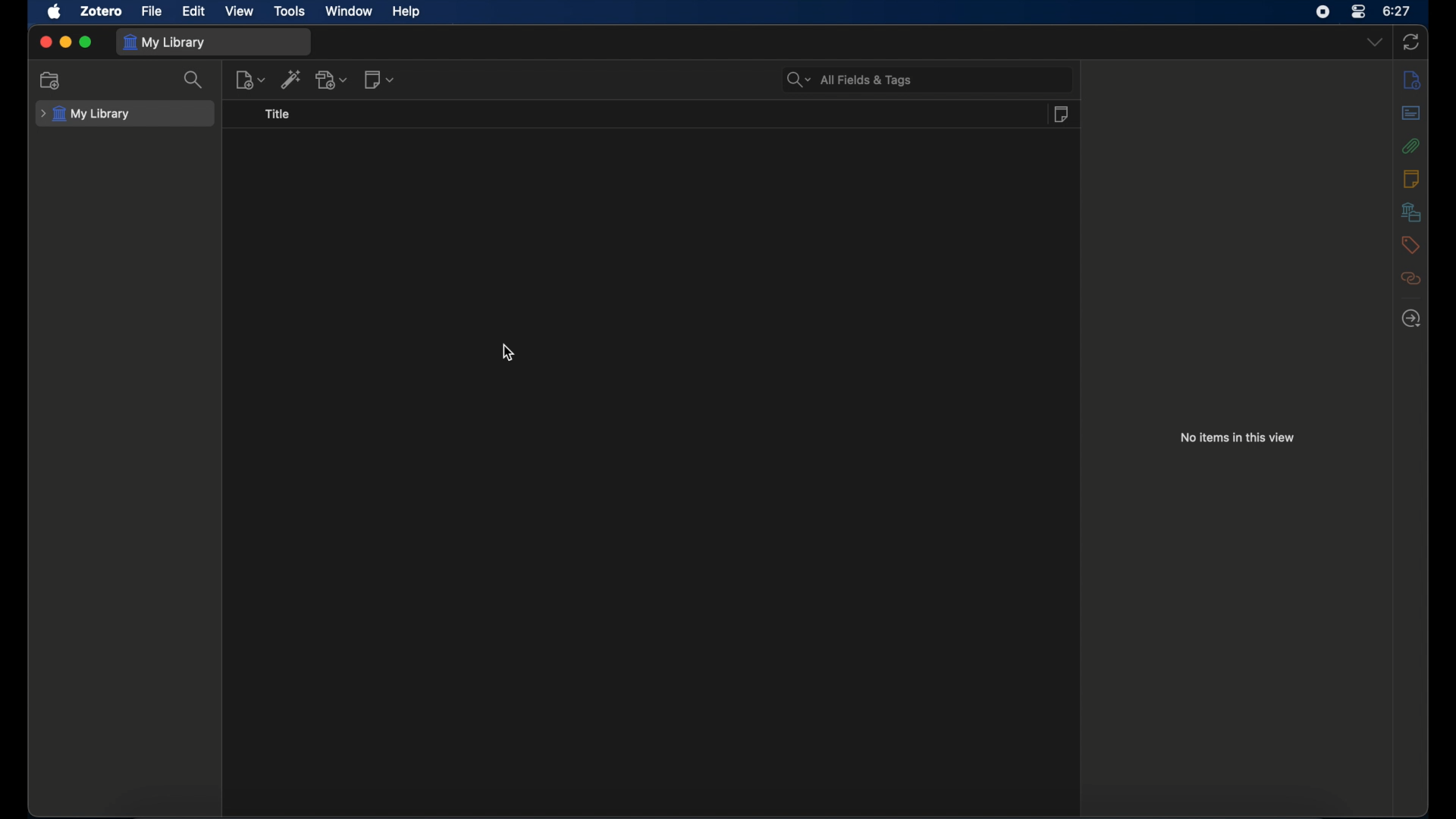  What do you see at coordinates (1375, 42) in the screenshot?
I see `dropdown` at bounding box center [1375, 42].